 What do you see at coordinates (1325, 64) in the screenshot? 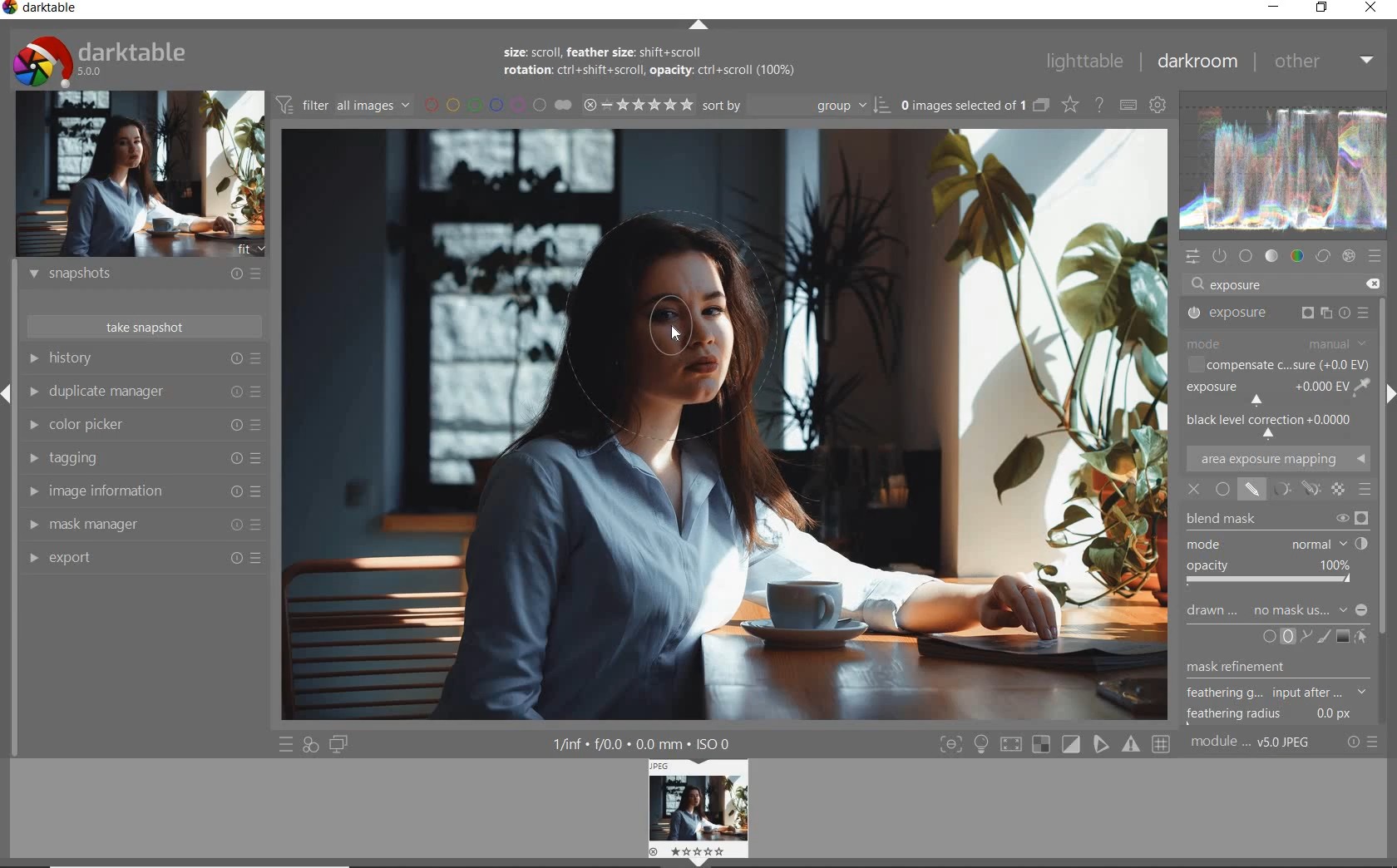
I see `other` at bounding box center [1325, 64].